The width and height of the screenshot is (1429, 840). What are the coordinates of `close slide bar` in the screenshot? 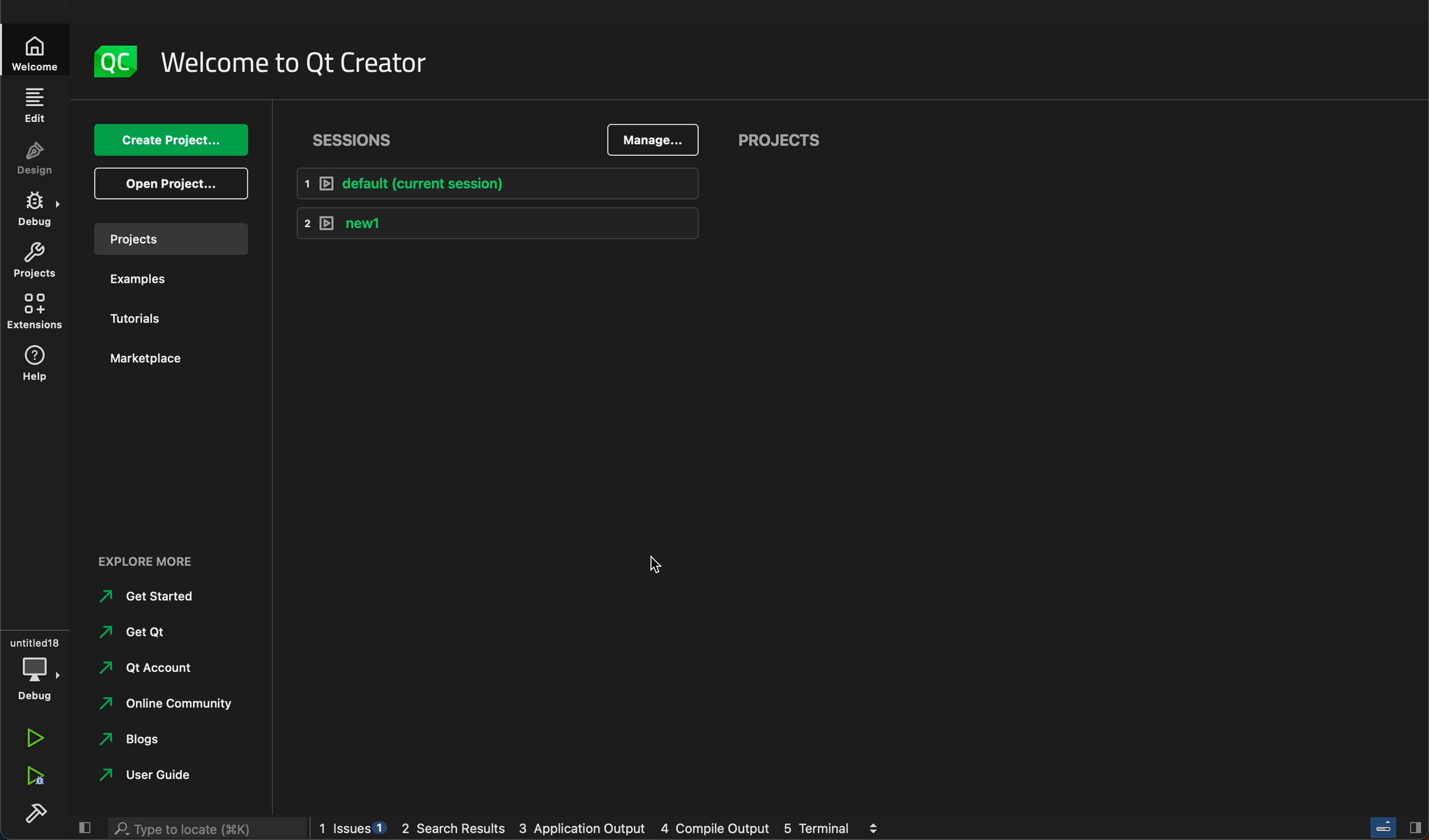 It's located at (82, 828).